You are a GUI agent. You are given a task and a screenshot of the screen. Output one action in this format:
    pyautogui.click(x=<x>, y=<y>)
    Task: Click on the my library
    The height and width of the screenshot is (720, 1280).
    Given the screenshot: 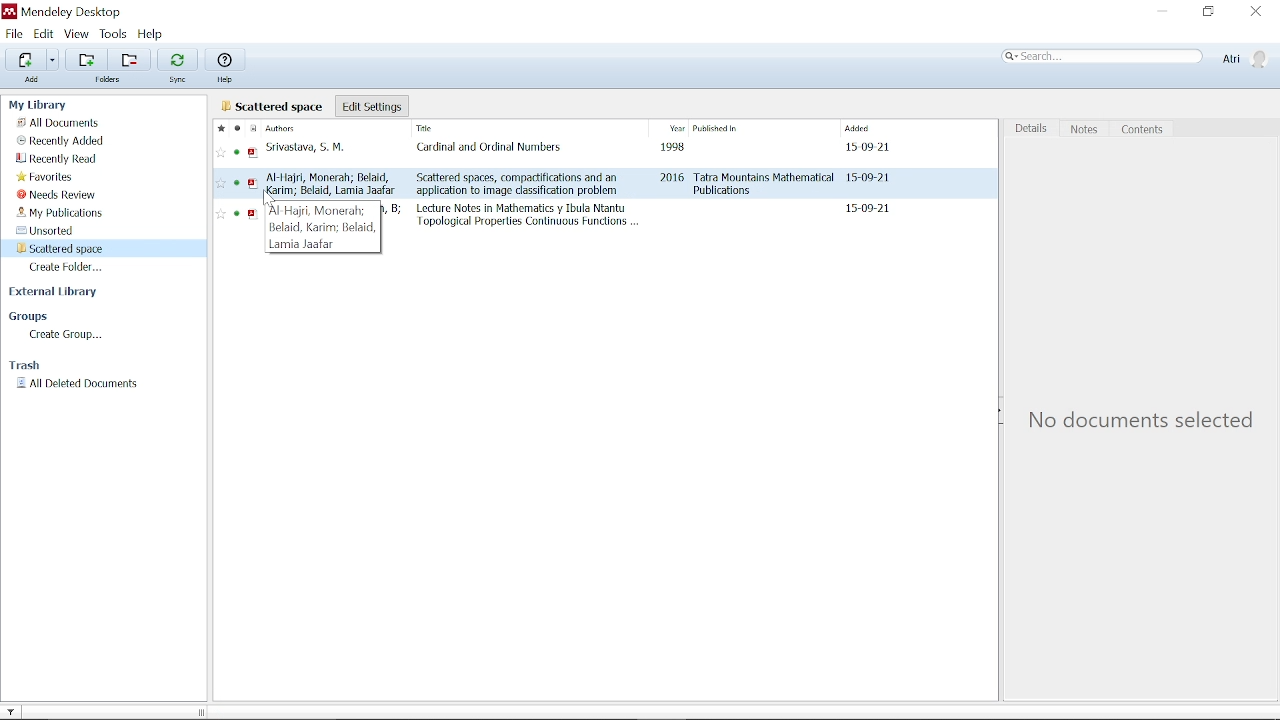 What is the action you would take?
    pyautogui.click(x=40, y=104)
    